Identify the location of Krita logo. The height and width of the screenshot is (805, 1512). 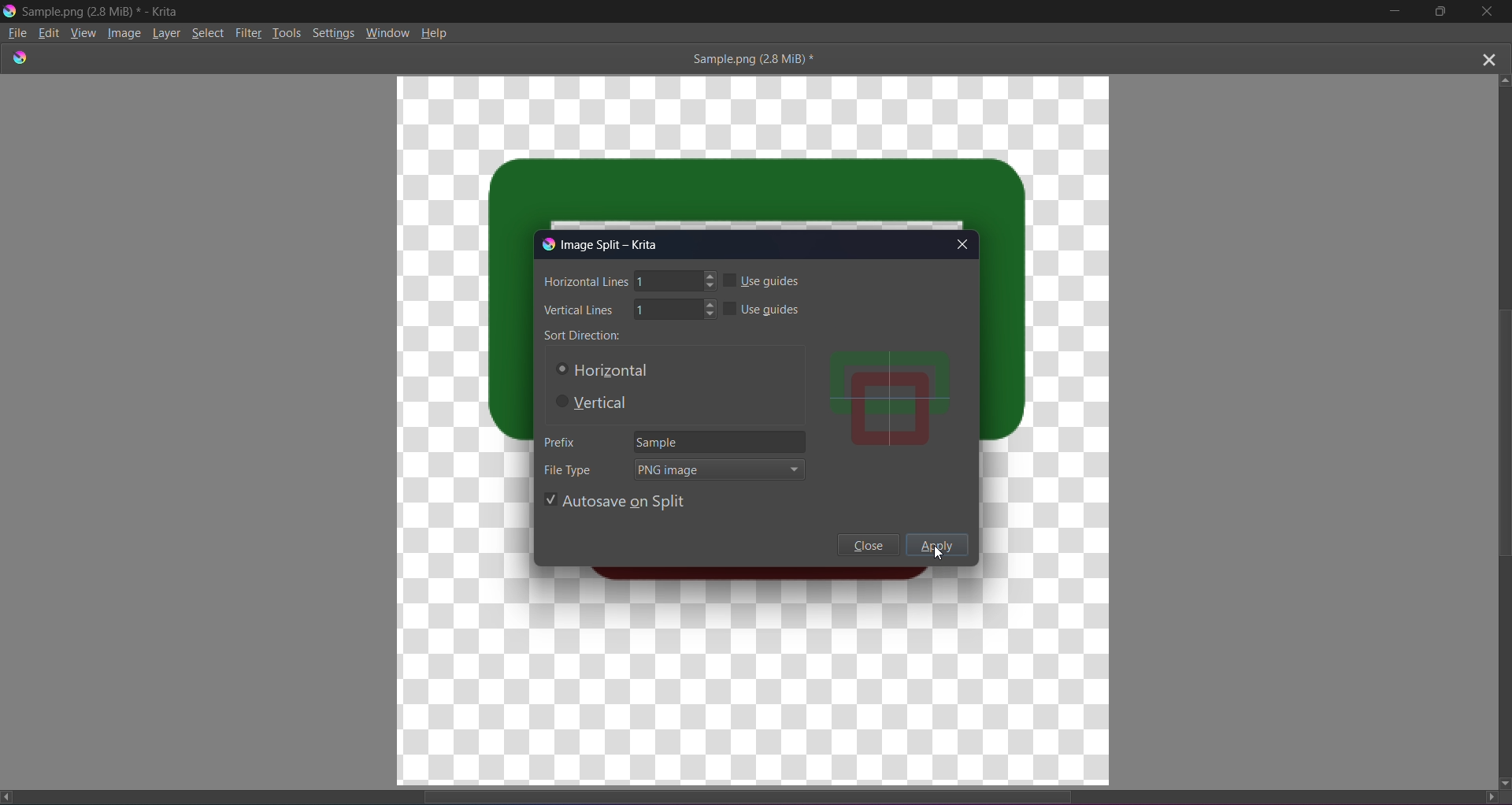
(544, 244).